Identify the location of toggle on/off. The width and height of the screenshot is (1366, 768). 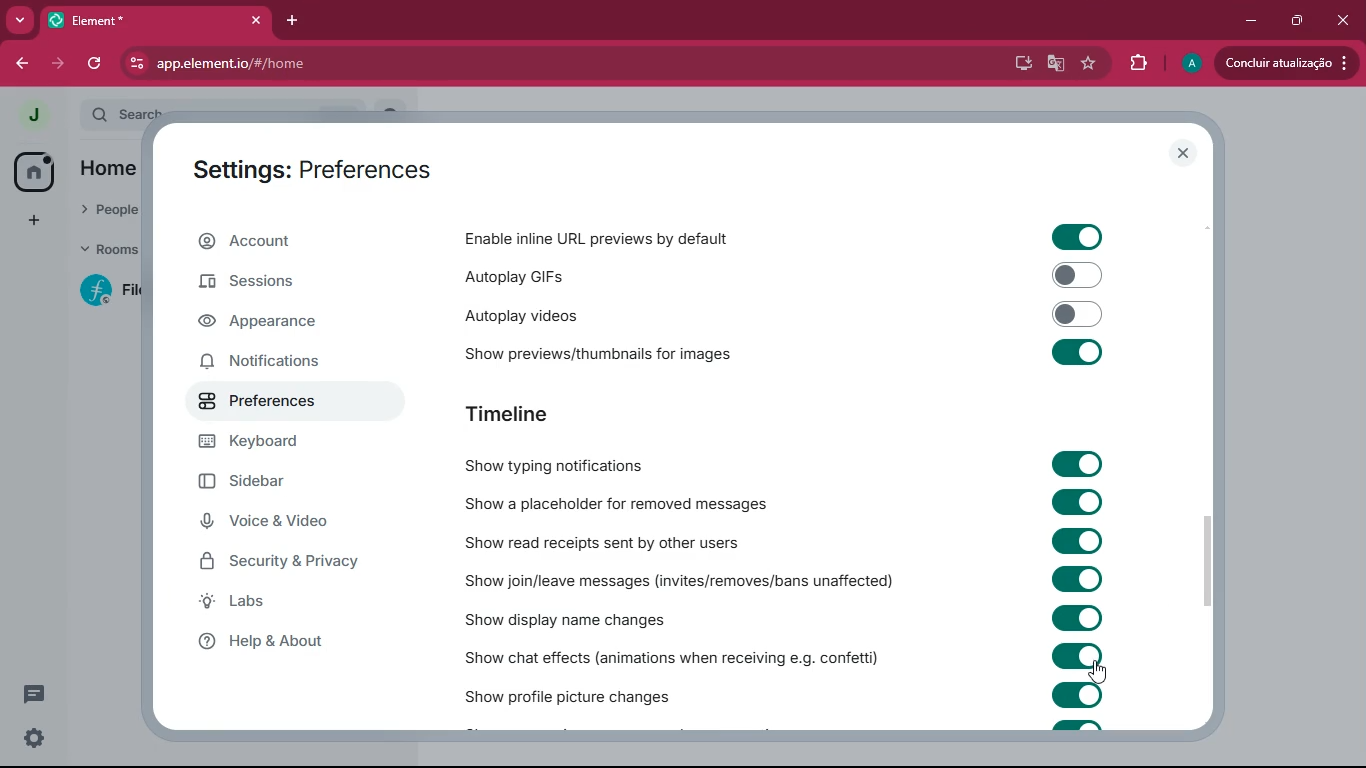
(1077, 238).